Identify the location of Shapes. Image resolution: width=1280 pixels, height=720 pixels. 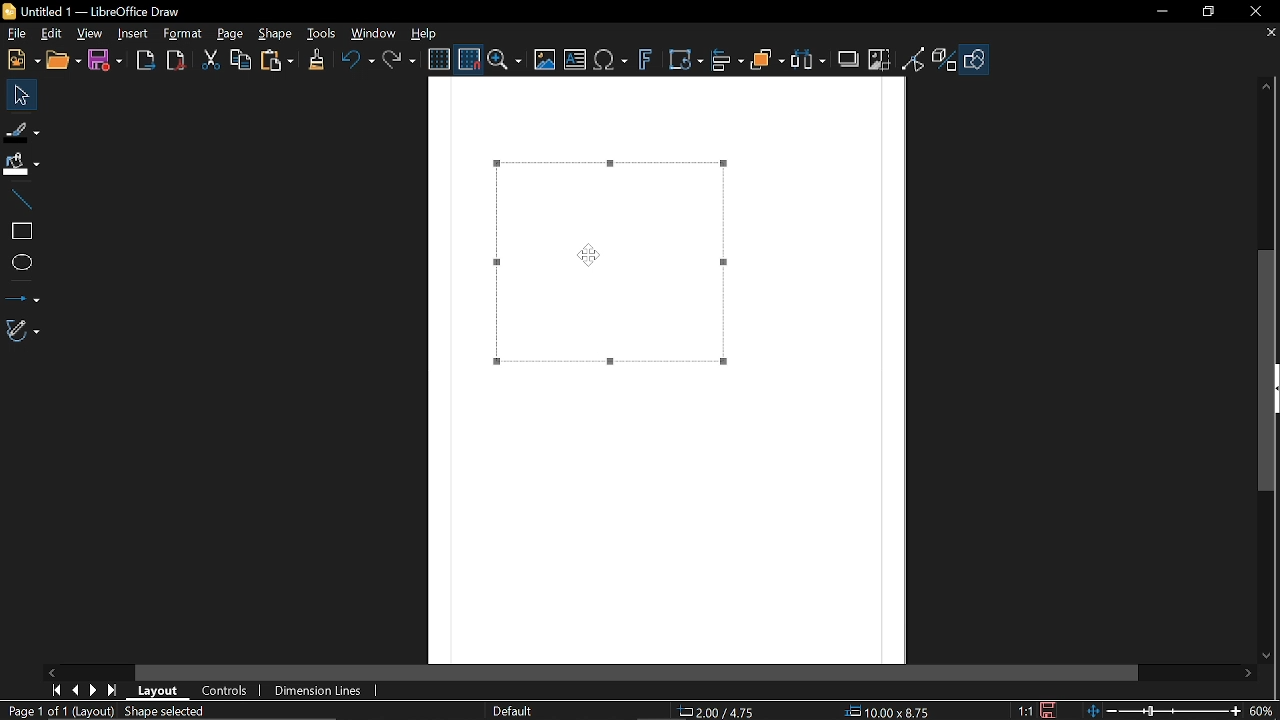
(974, 61).